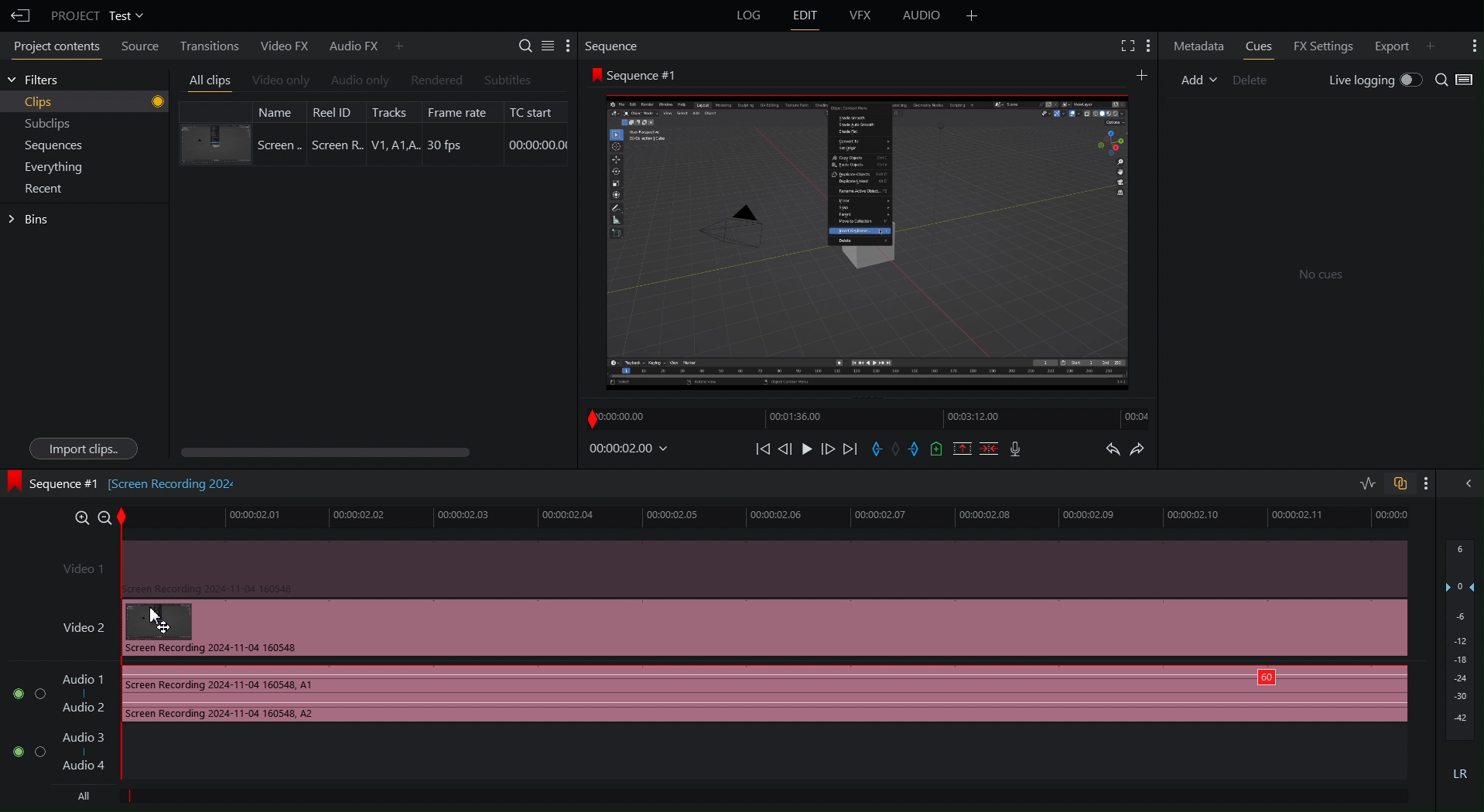  I want to click on Recent, so click(40, 188).